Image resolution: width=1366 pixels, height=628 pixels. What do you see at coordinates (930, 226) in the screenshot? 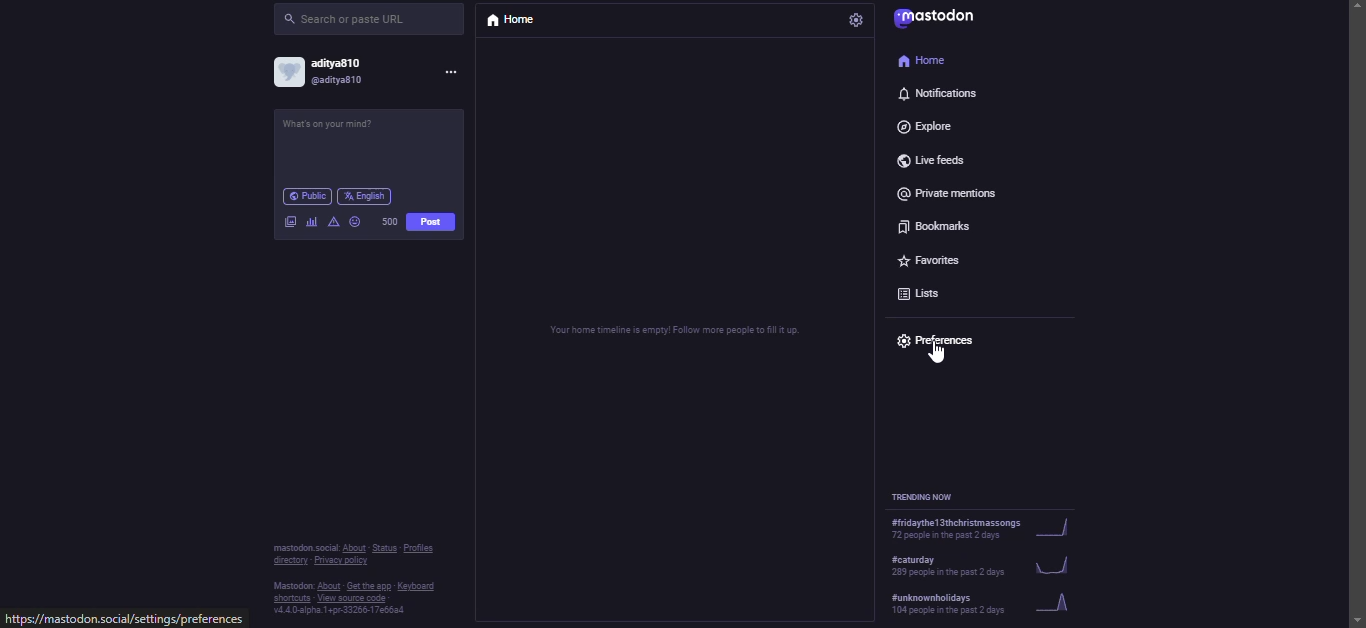
I see `bookmarks` at bounding box center [930, 226].